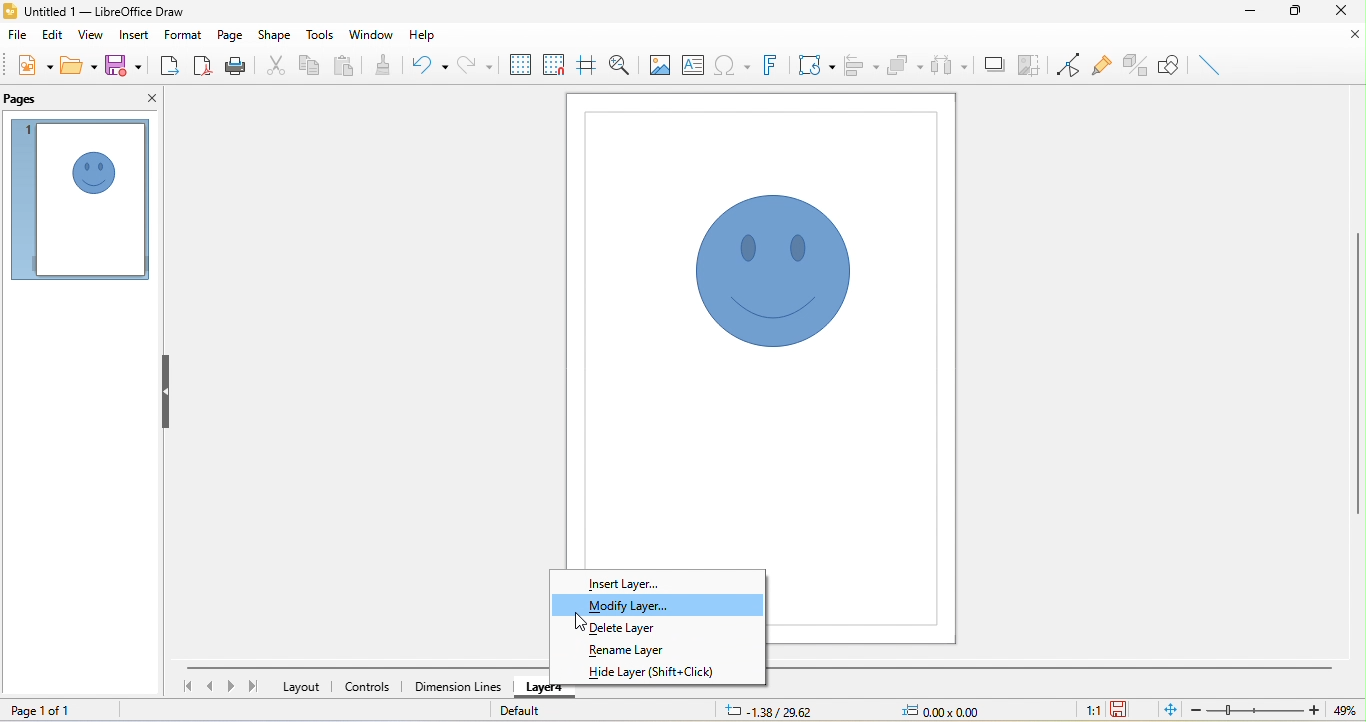 This screenshot has height=722, width=1366. Describe the element at coordinates (629, 628) in the screenshot. I see `delete layer` at that location.